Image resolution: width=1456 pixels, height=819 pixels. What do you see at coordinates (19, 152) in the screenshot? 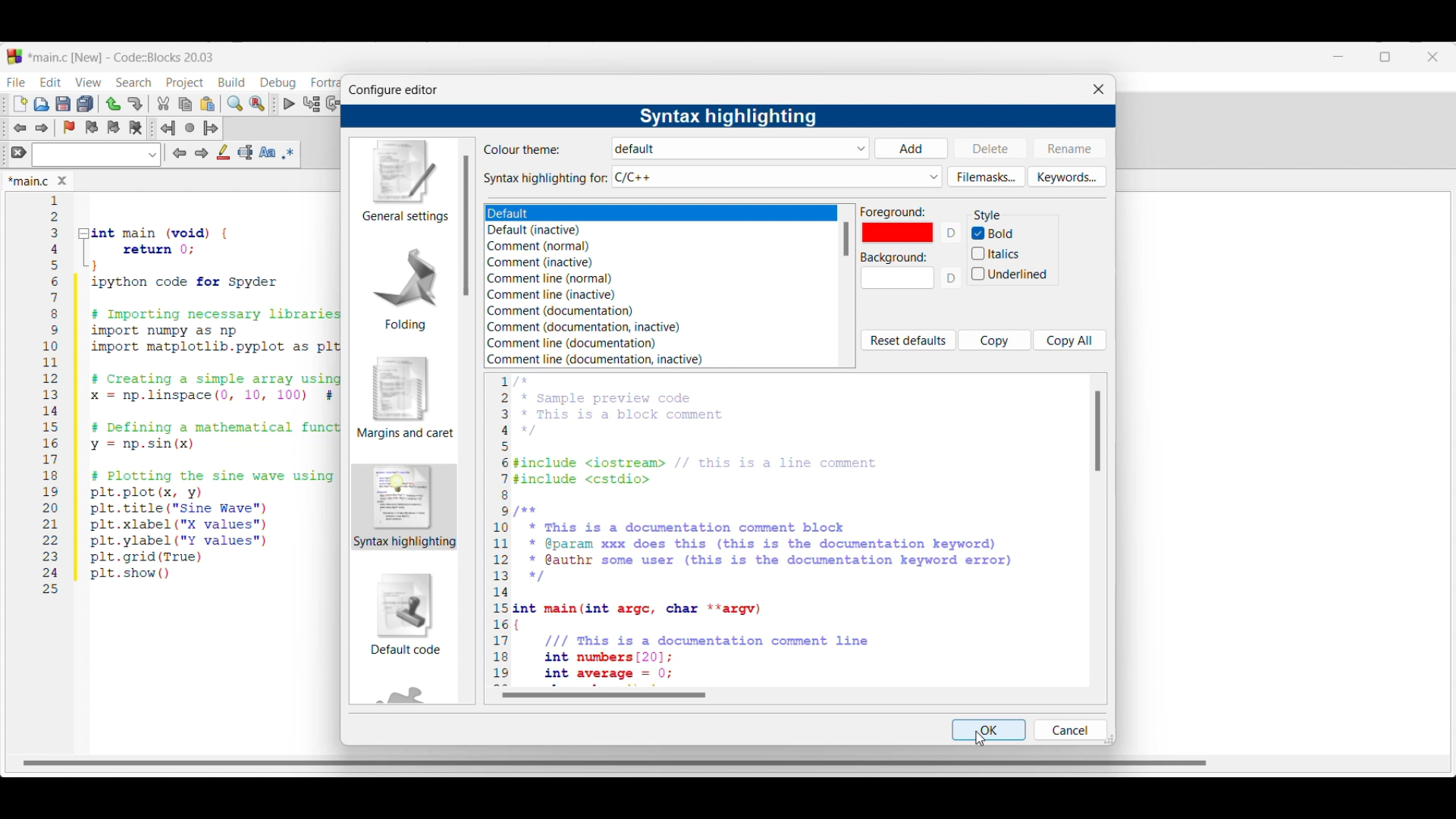
I see `Clear` at bounding box center [19, 152].